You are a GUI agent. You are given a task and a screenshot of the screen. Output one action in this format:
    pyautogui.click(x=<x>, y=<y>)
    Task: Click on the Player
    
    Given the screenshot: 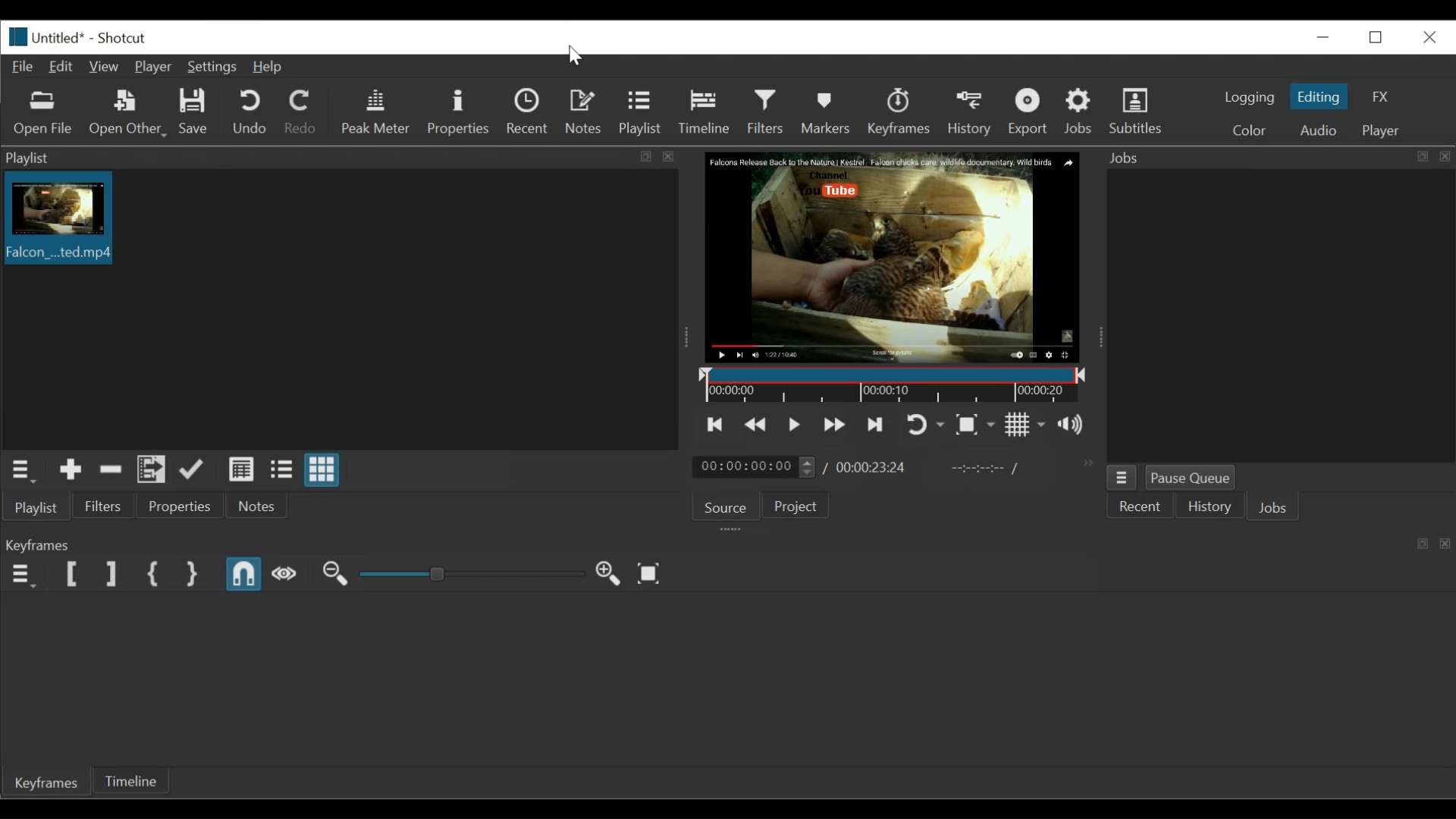 What is the action you would take?
    pyautogui.click(x=152, y=67)
    